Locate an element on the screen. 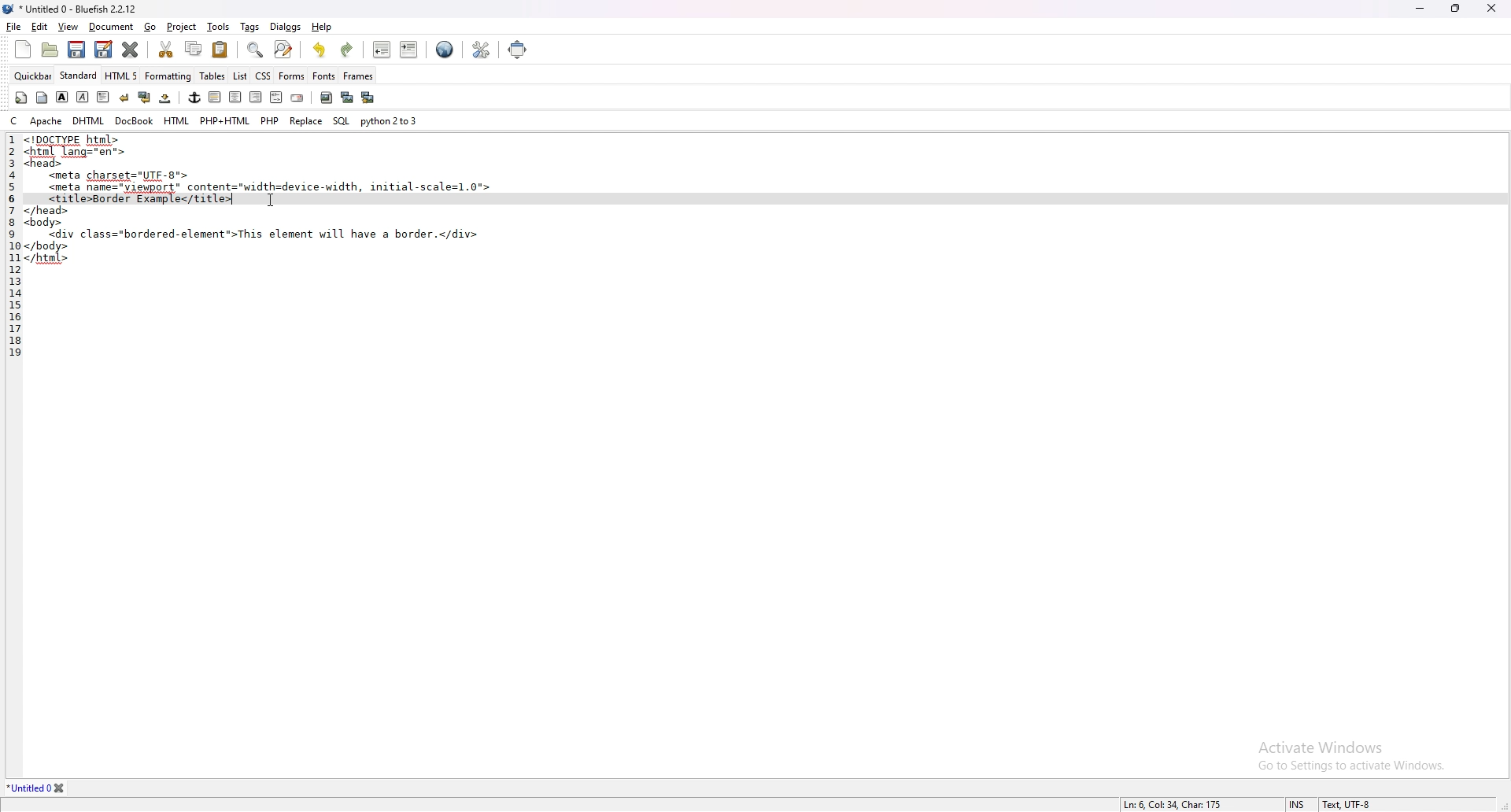 This screenshot has height=812, width=1511. save file as is located at coordinates (104, 49).